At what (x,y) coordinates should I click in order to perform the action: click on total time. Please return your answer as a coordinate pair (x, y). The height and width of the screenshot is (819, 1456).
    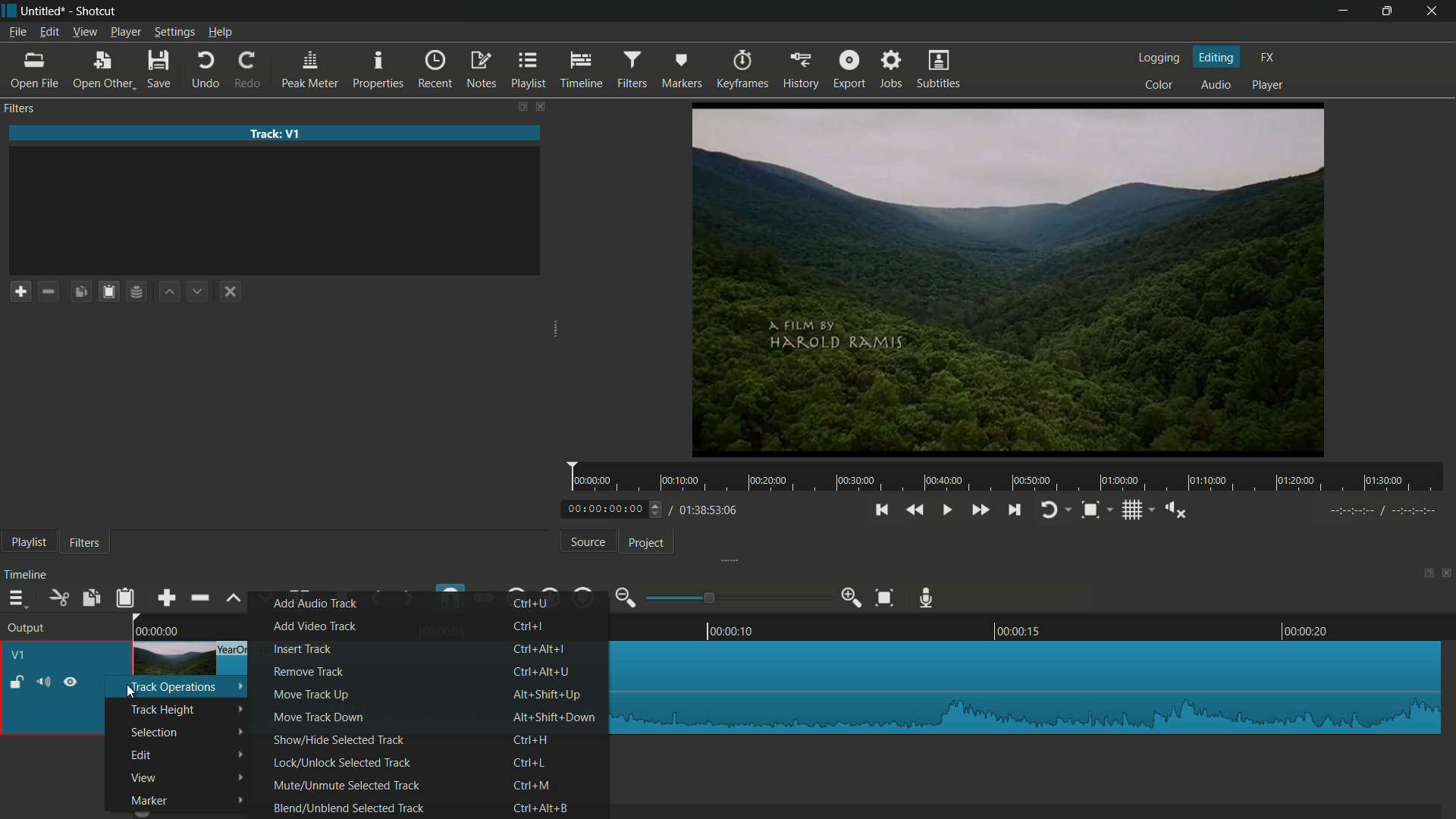
    Looking at the image, I should click on (707, 510).